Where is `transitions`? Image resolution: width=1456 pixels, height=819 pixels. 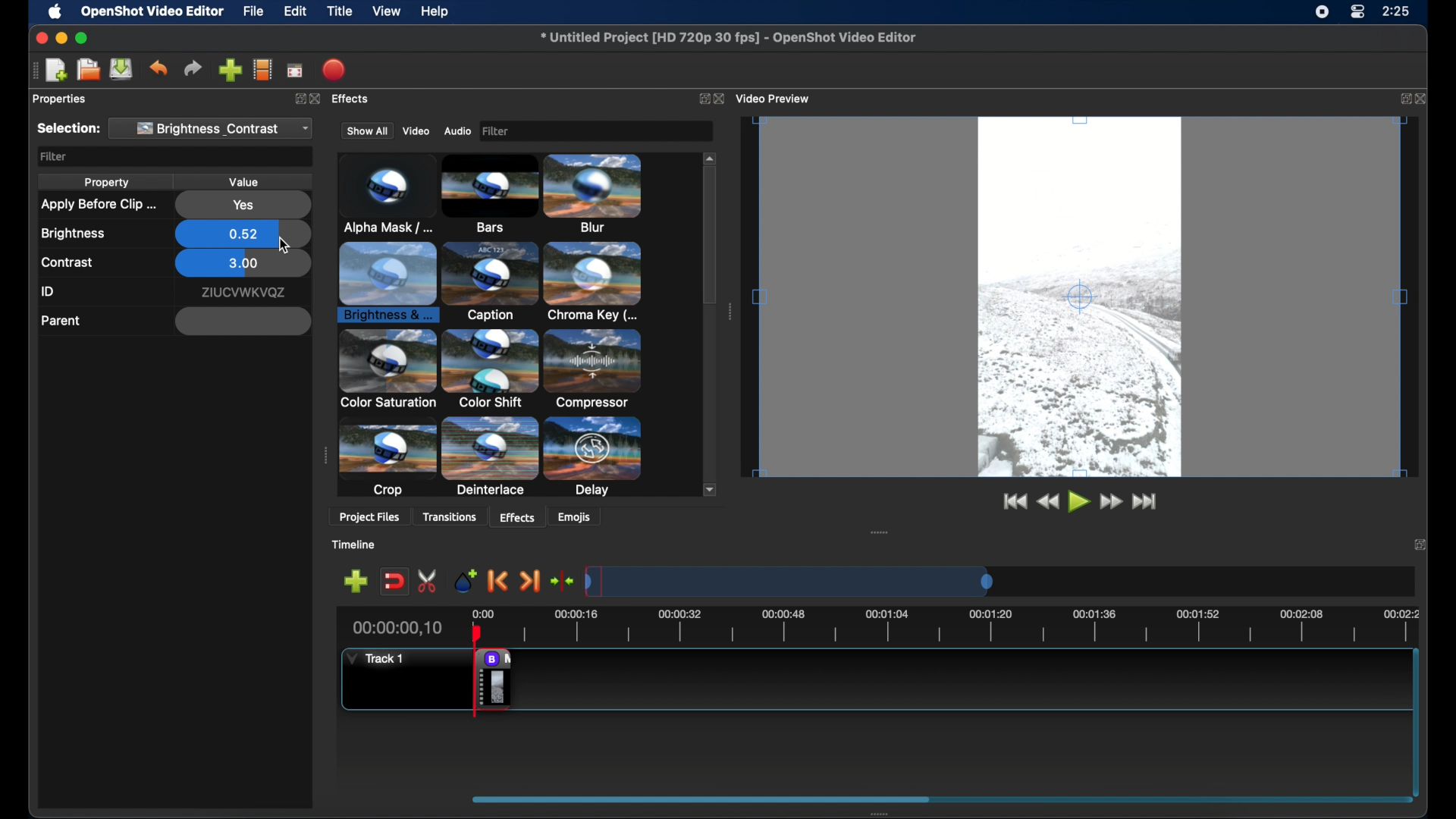
transitions is located at coordinates (454, 516).